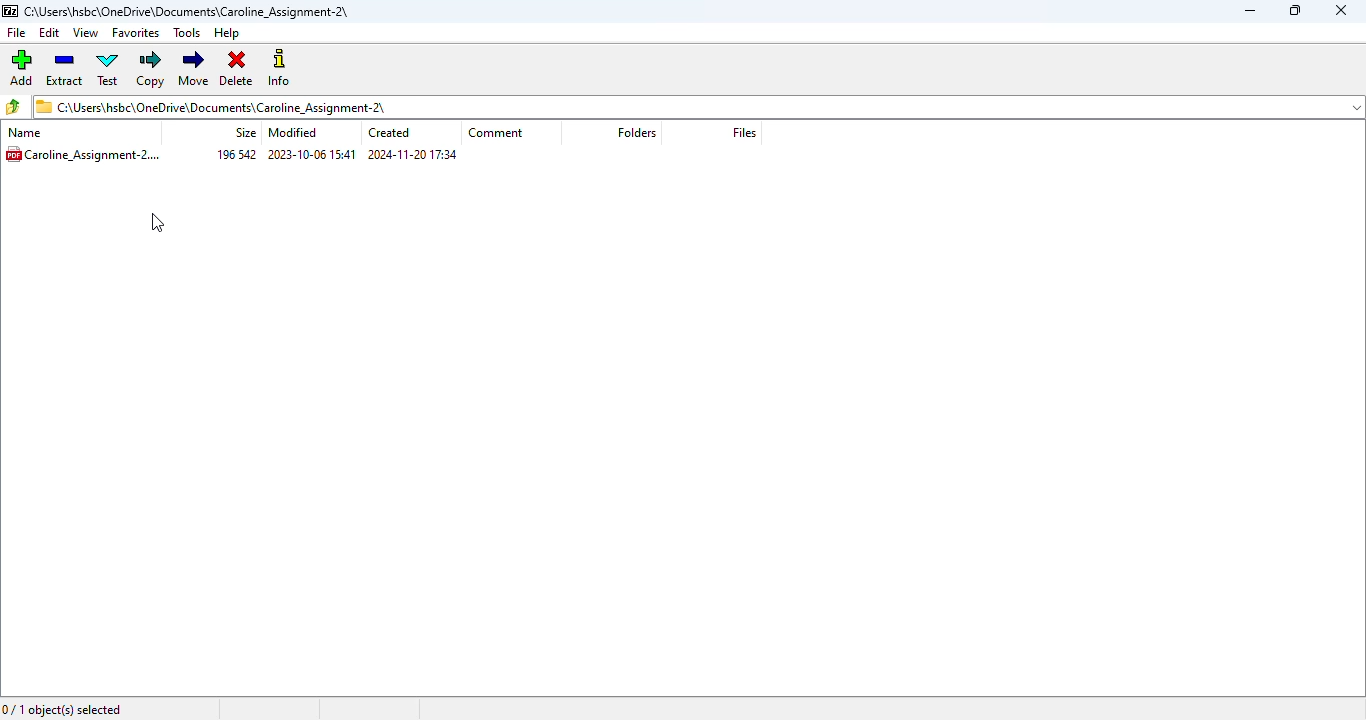  What do you see at coordinates (16, 33) in the screenshot?
I see `file` at bounding box center [16, 33].